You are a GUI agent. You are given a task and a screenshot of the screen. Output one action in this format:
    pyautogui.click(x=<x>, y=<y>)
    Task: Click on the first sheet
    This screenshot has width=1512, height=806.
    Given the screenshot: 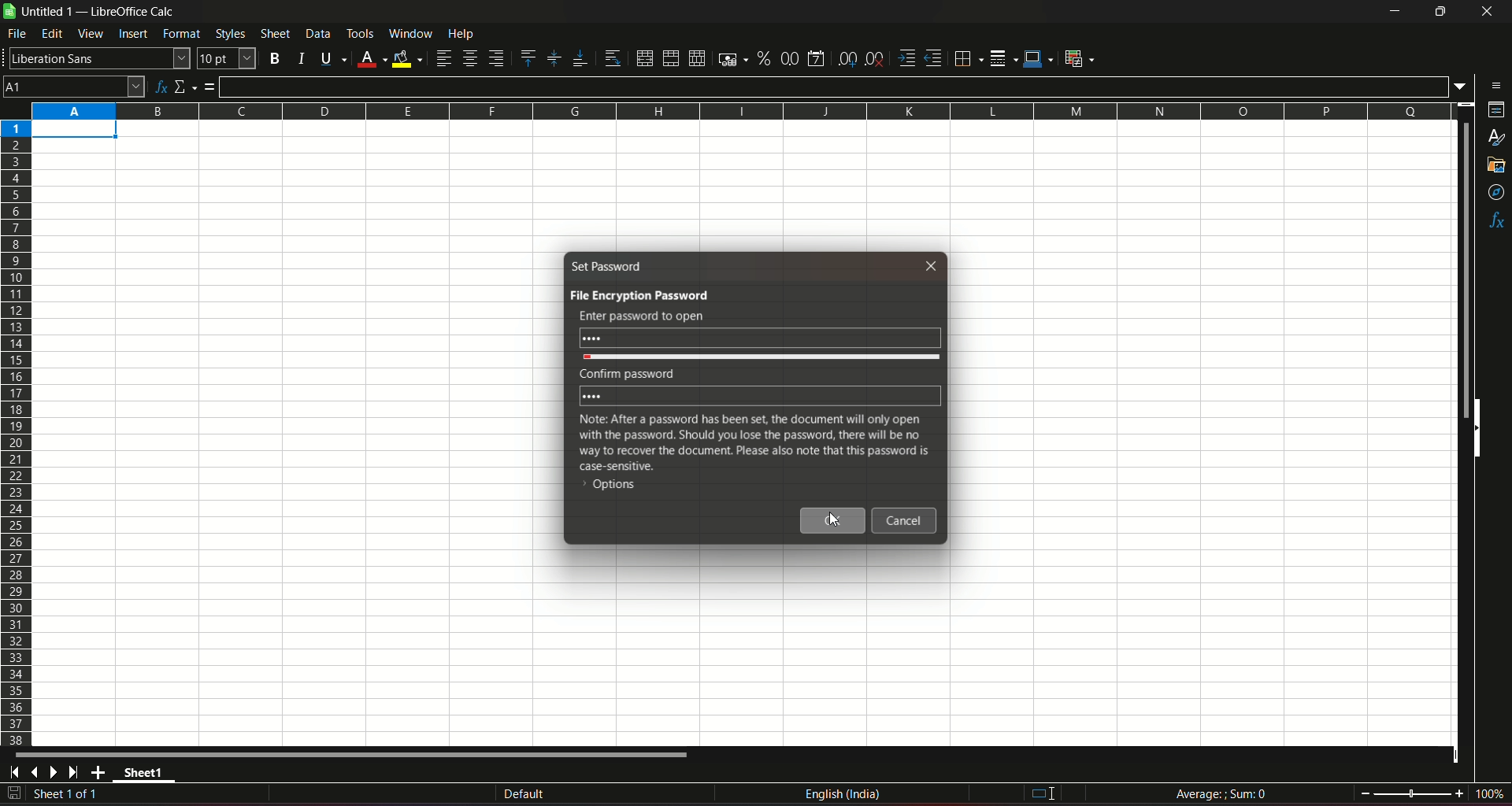 What is the action you would take?
    pyautogui.click(x=17, y=772)
    